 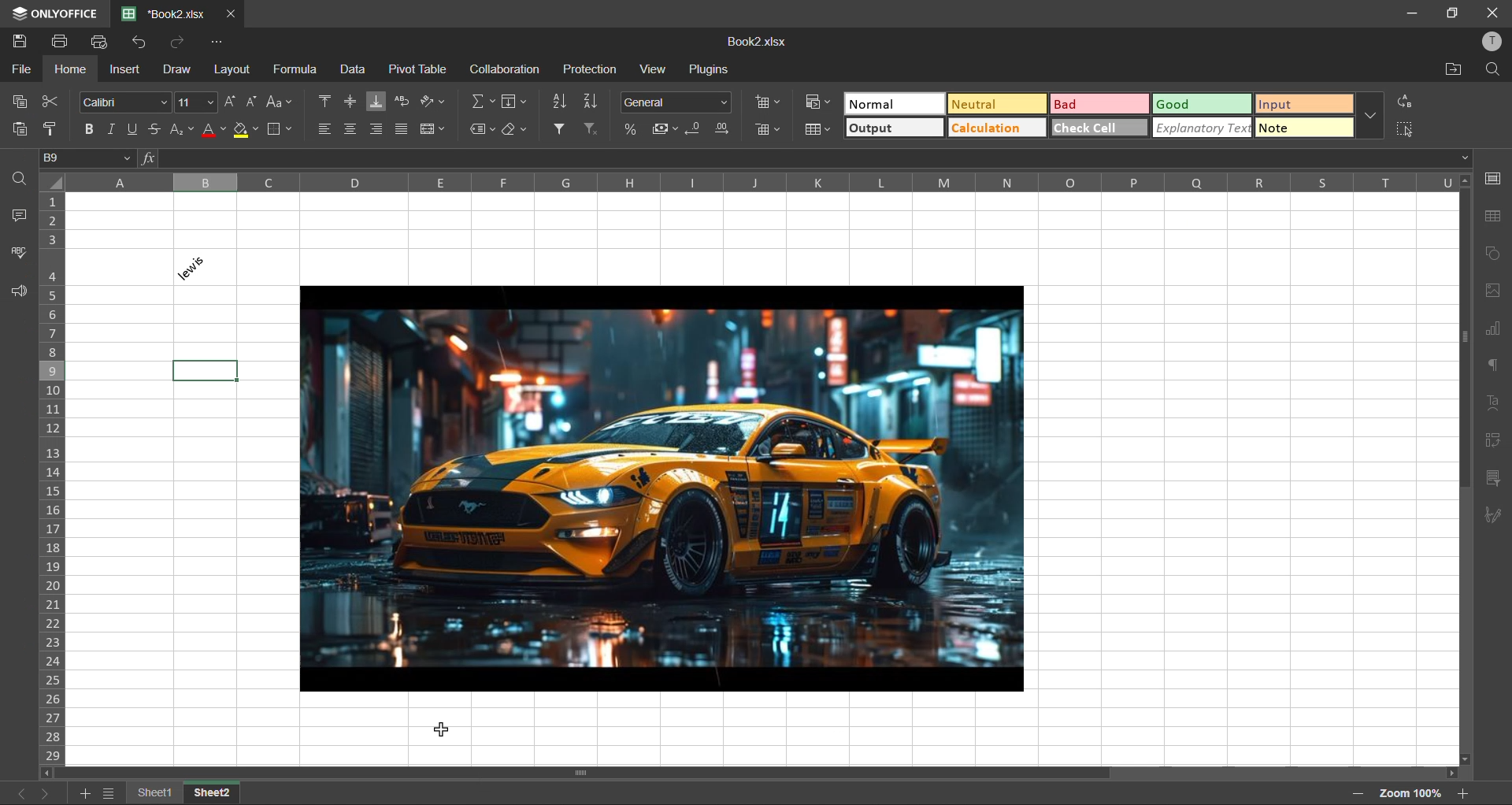 I want to click on bad, so click(x=1099, y=103).